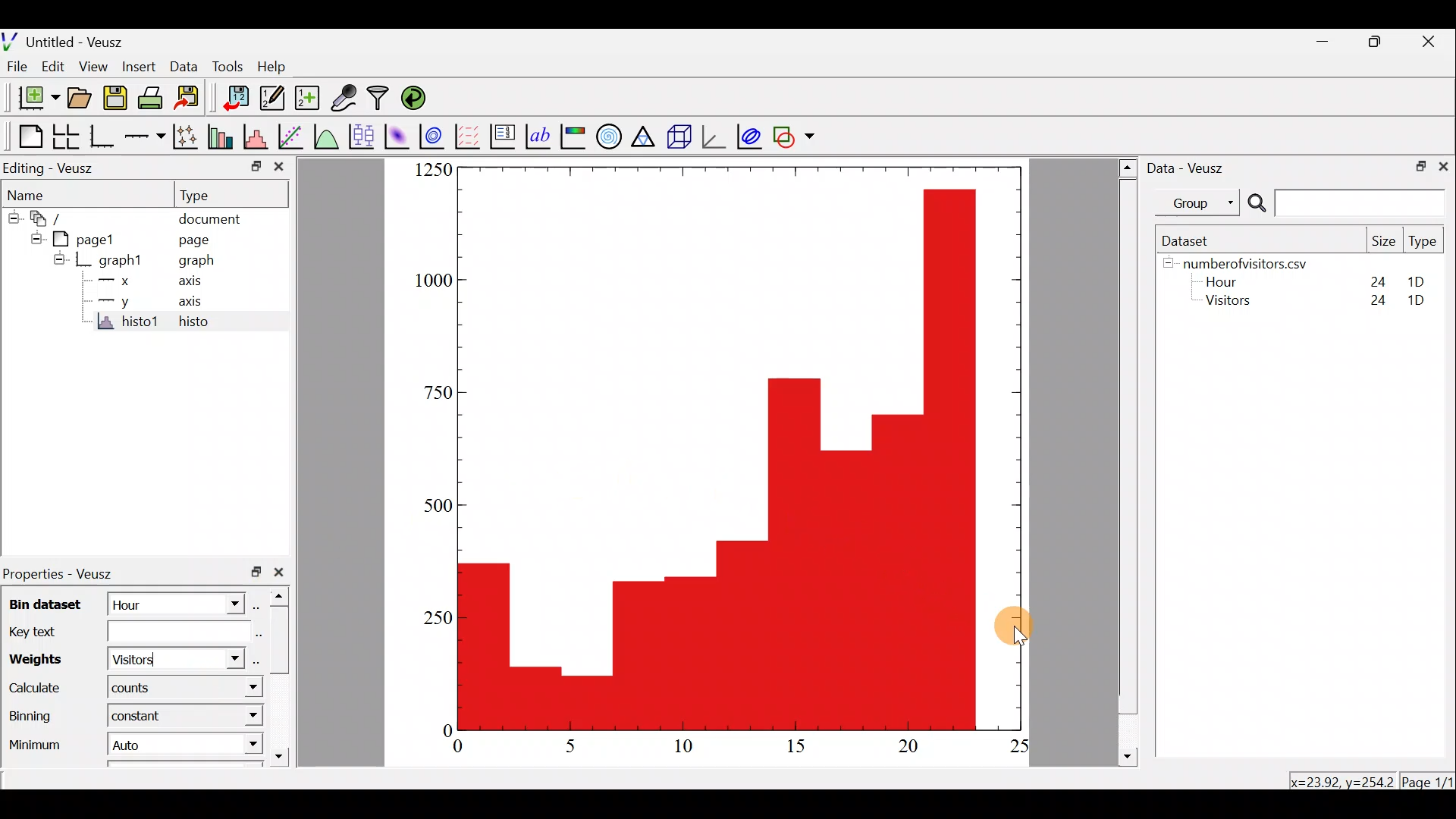  What do you see at coordinates (203, 195) in the screenshot?
I see `Type` at bounding box center [203, 195].